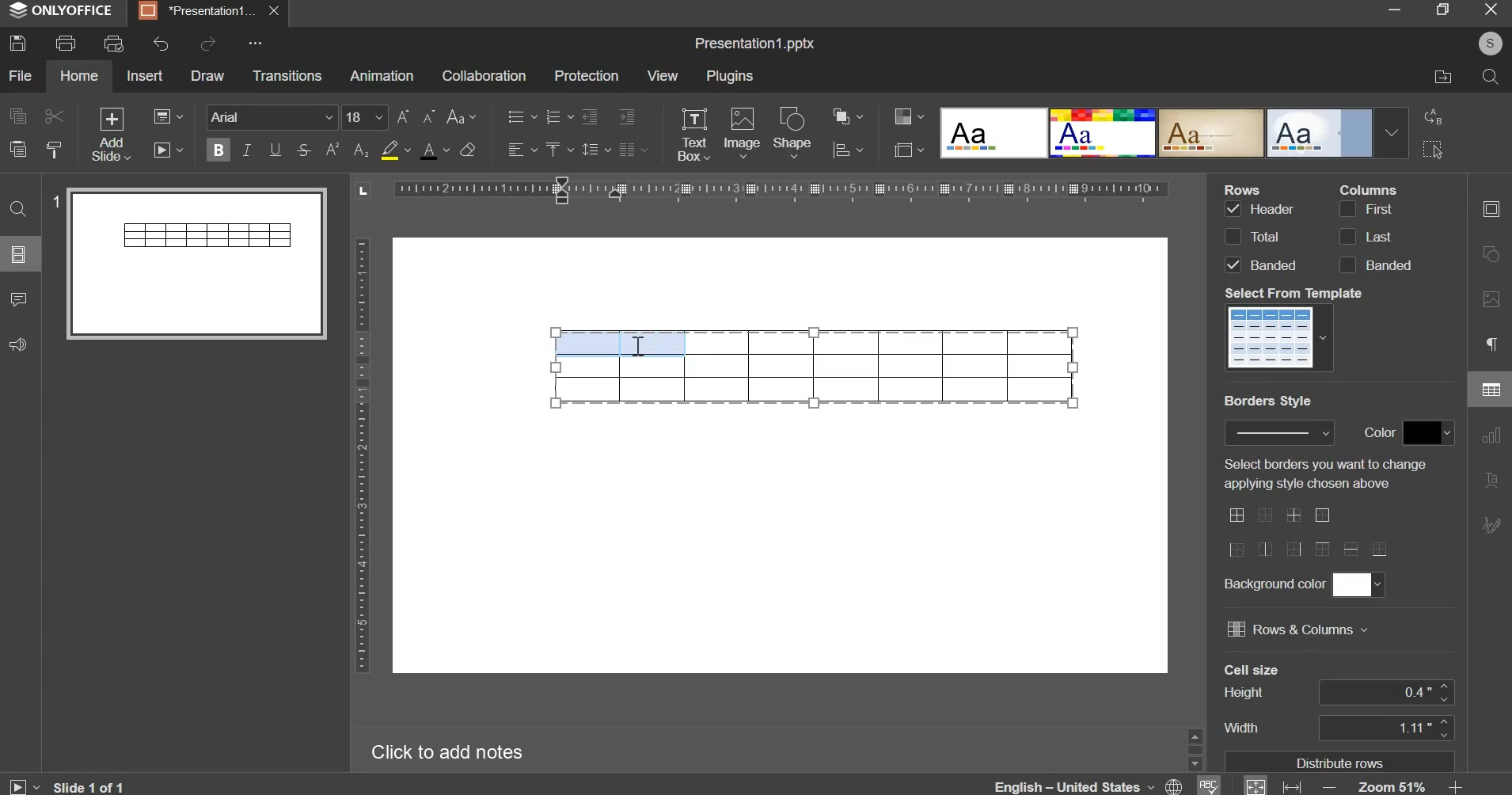  I want to click on transitions, so click(287, 74).